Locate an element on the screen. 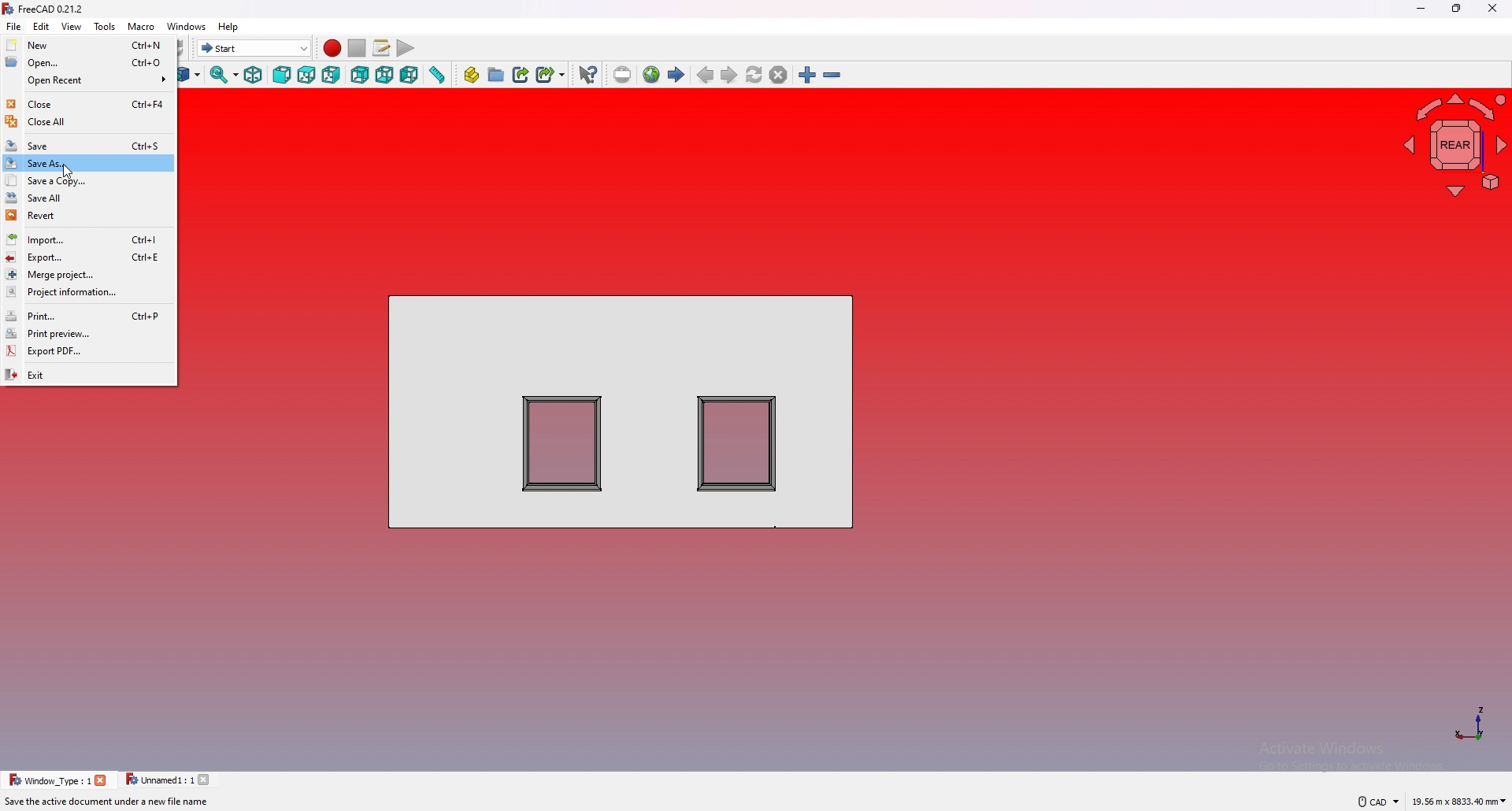 The image size is (1512, 811). open recent is located at coordinates (88, 80).